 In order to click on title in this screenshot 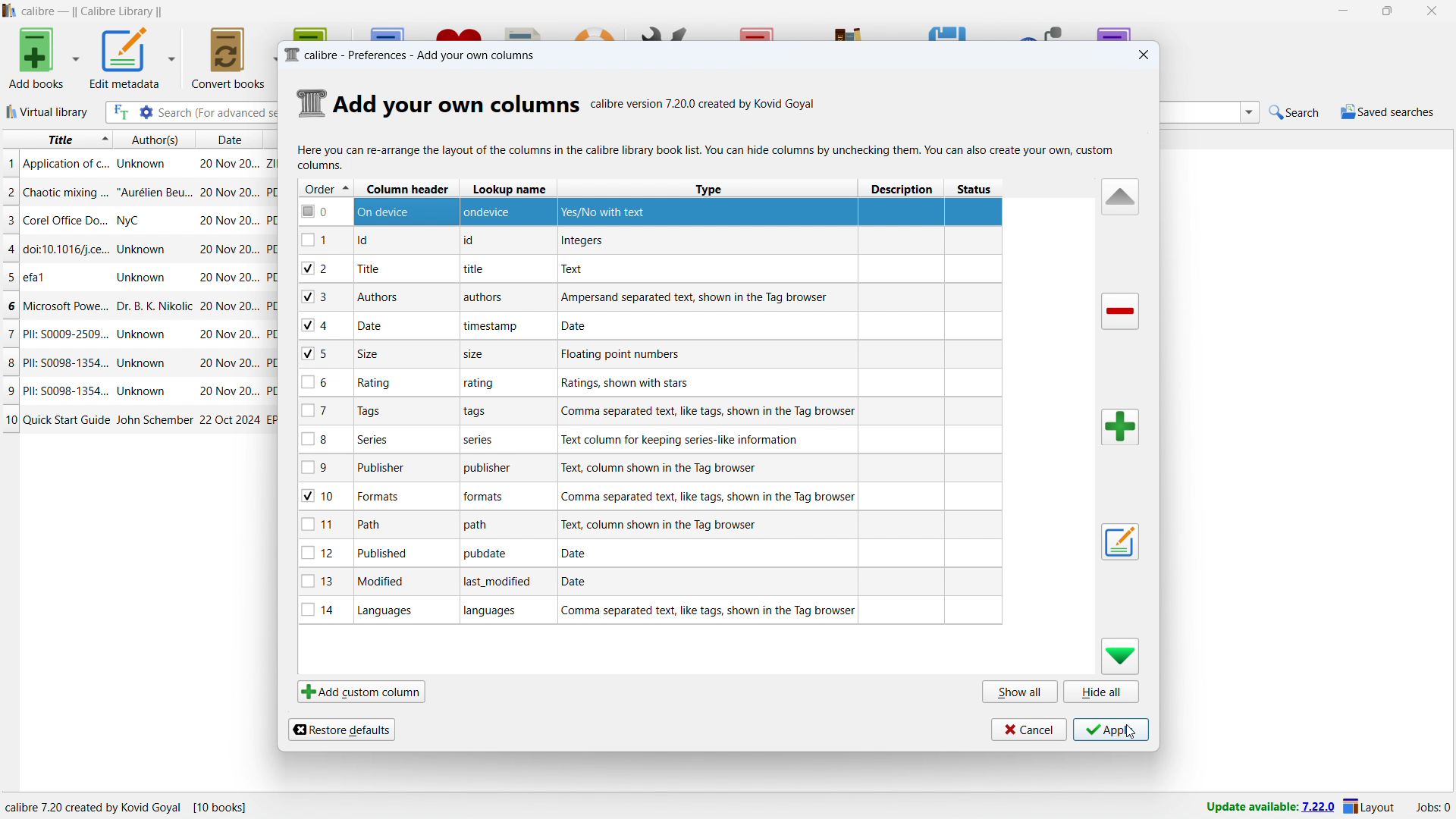, I will do `click(66, 307)`.